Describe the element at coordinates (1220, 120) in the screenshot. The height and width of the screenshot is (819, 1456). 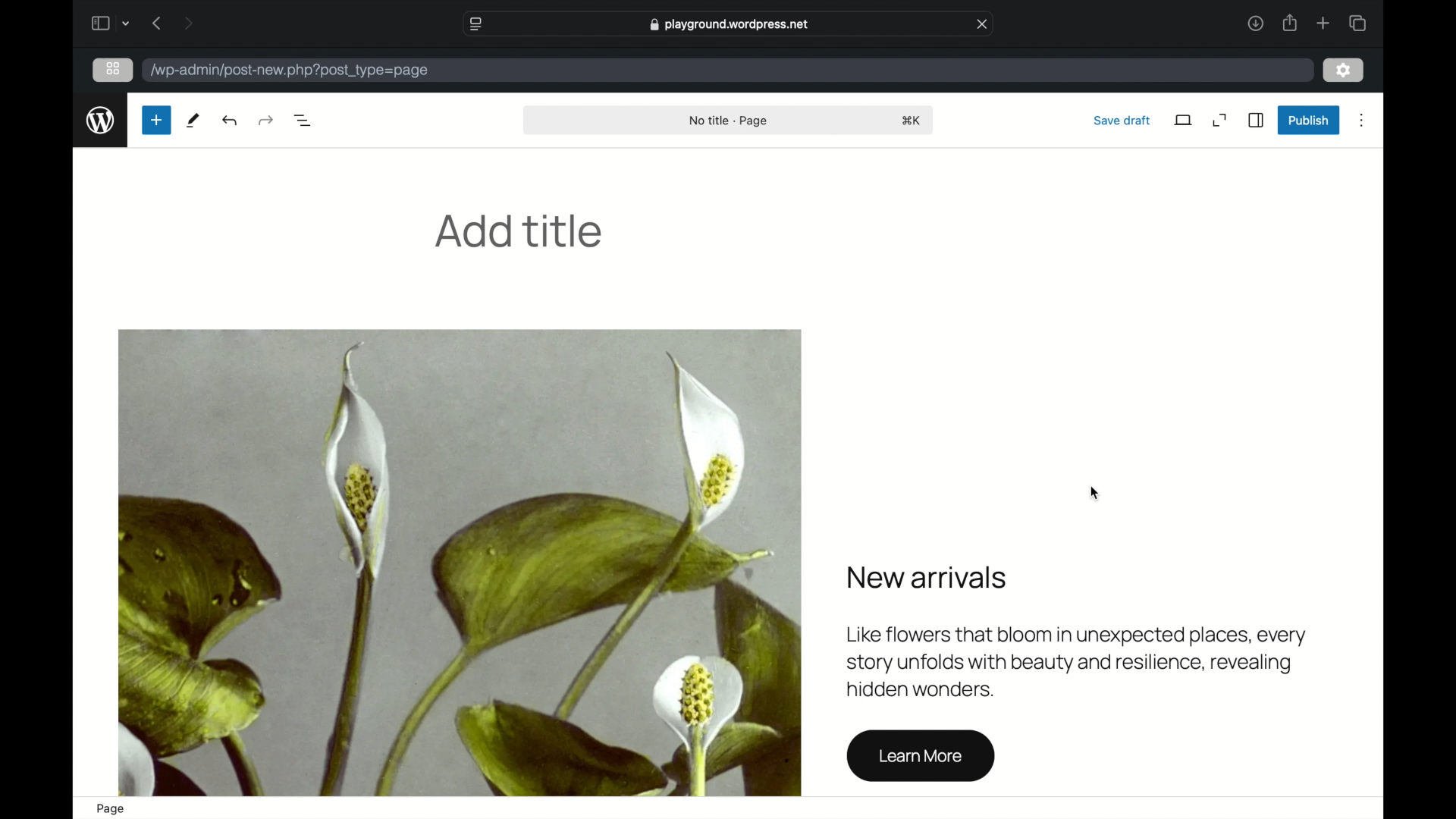
I see `expand` at that location.